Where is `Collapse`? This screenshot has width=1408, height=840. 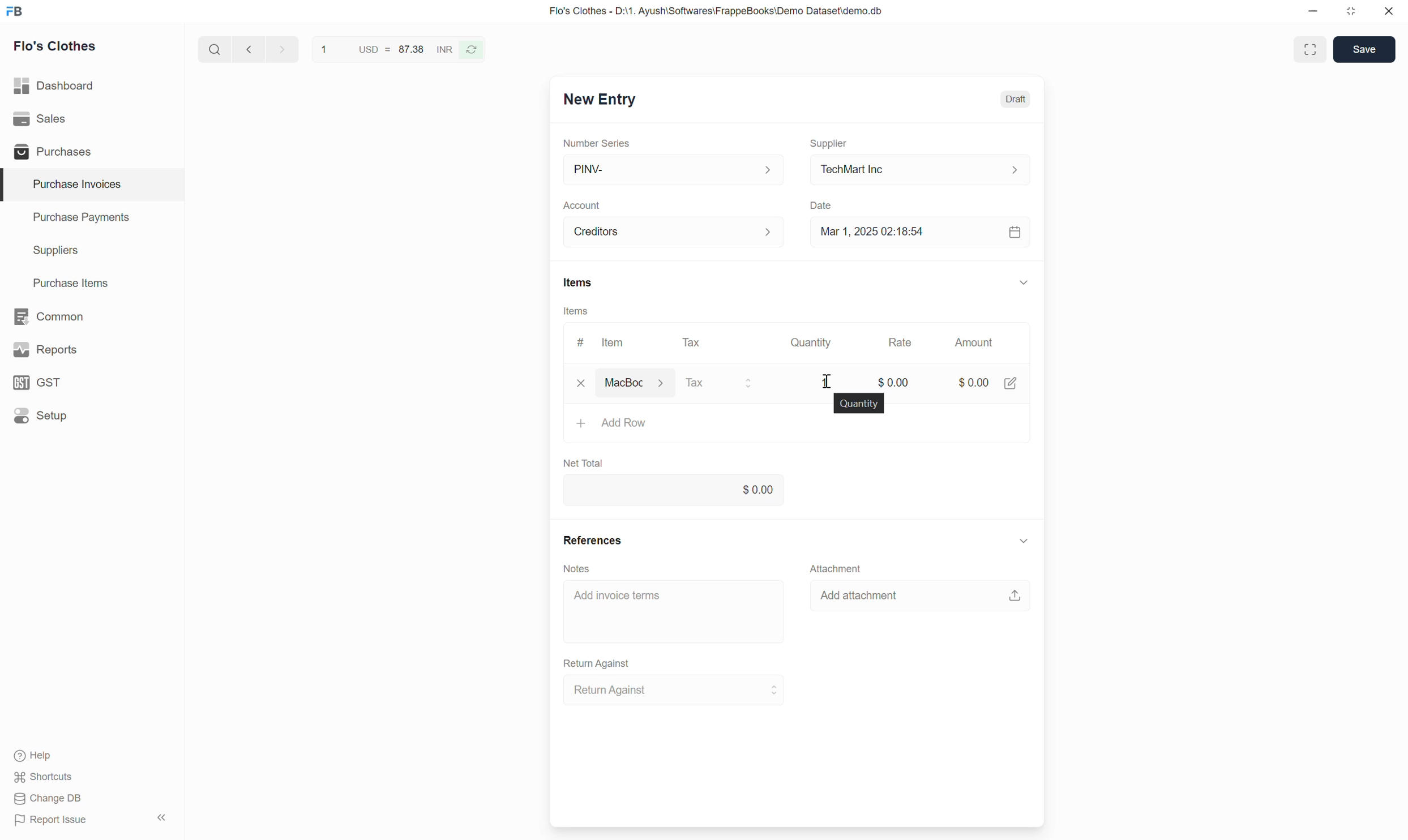 Collapse is located at coordinates (1024, 541).